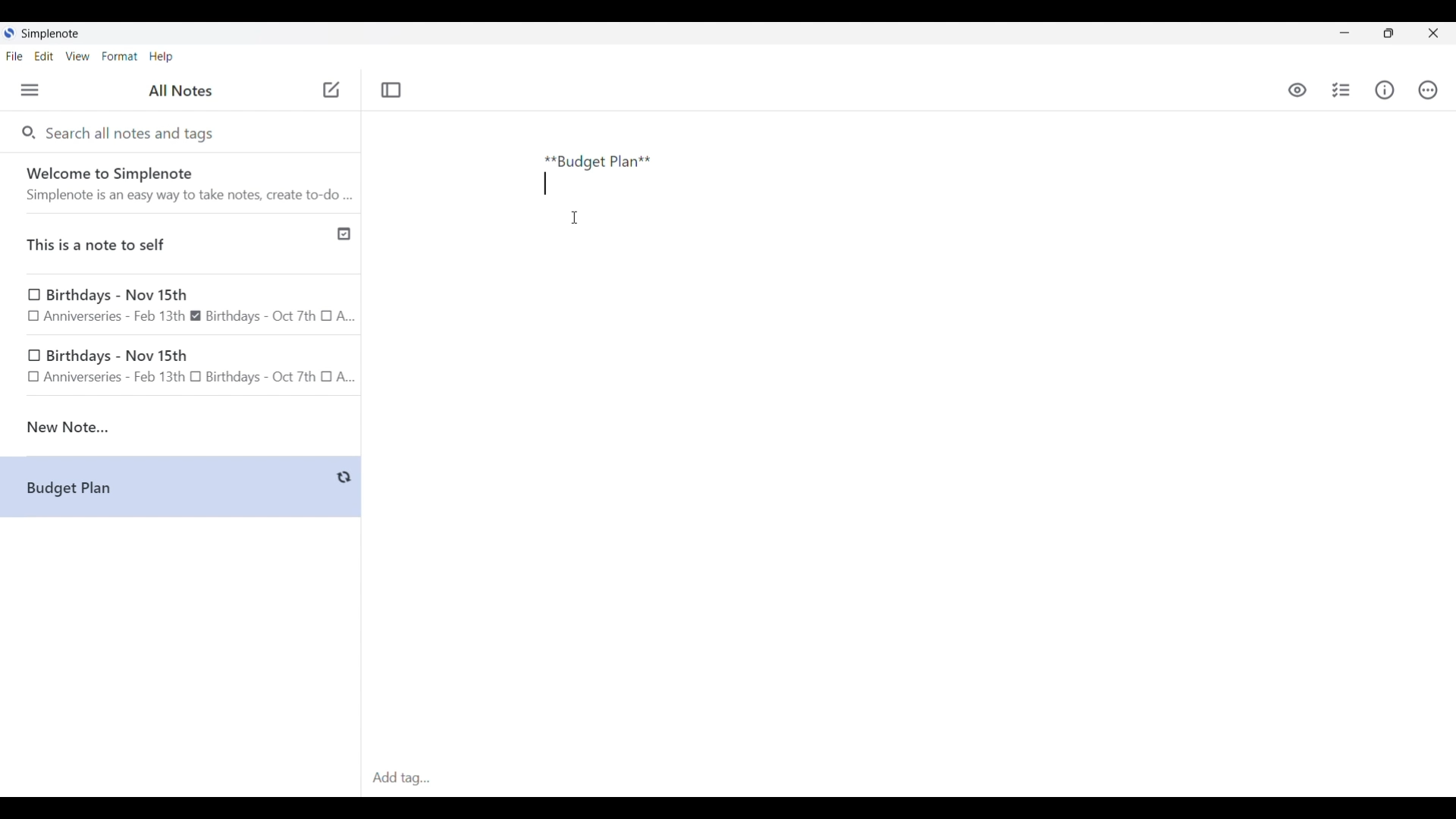 The image size is (1456, 819). What do you see at coordinates (182, 244) in the screenshot?
I see `Published note indicated by check icon` at bounding box center [182, 244].